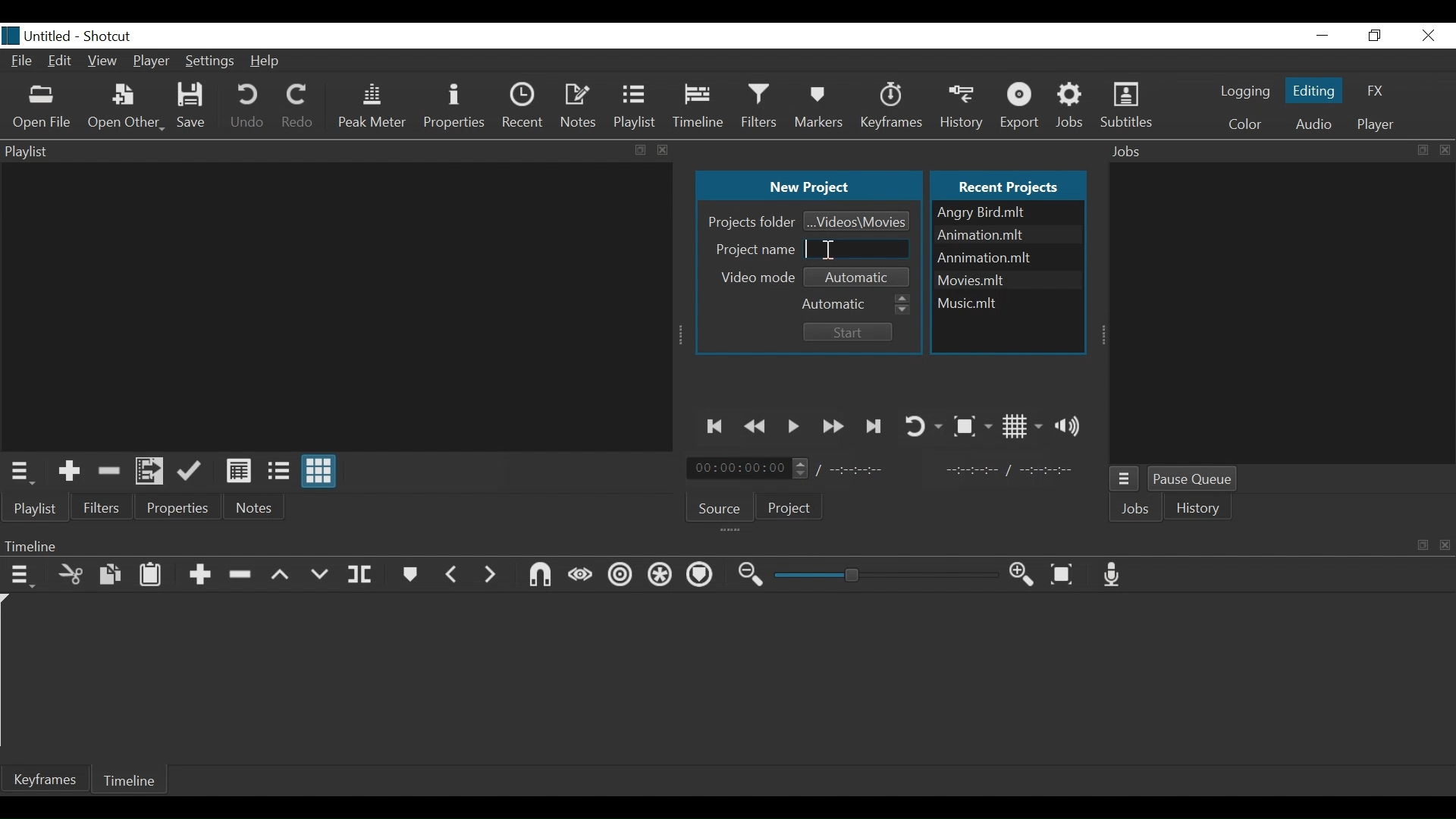 Image resolution: width=1456 pixels, height=819 pixels. I want to click on Remove cut, so click(108, 470).